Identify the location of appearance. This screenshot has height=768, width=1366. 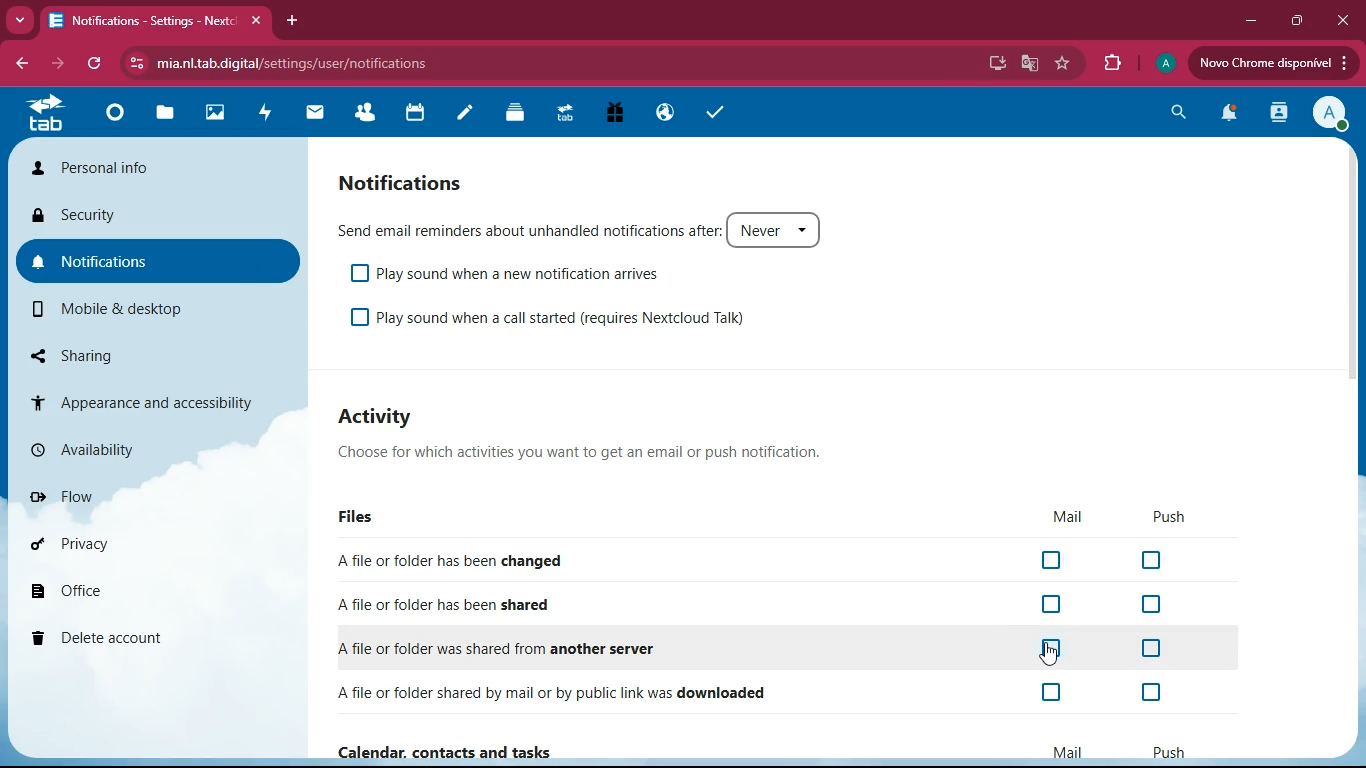
(155, 397).